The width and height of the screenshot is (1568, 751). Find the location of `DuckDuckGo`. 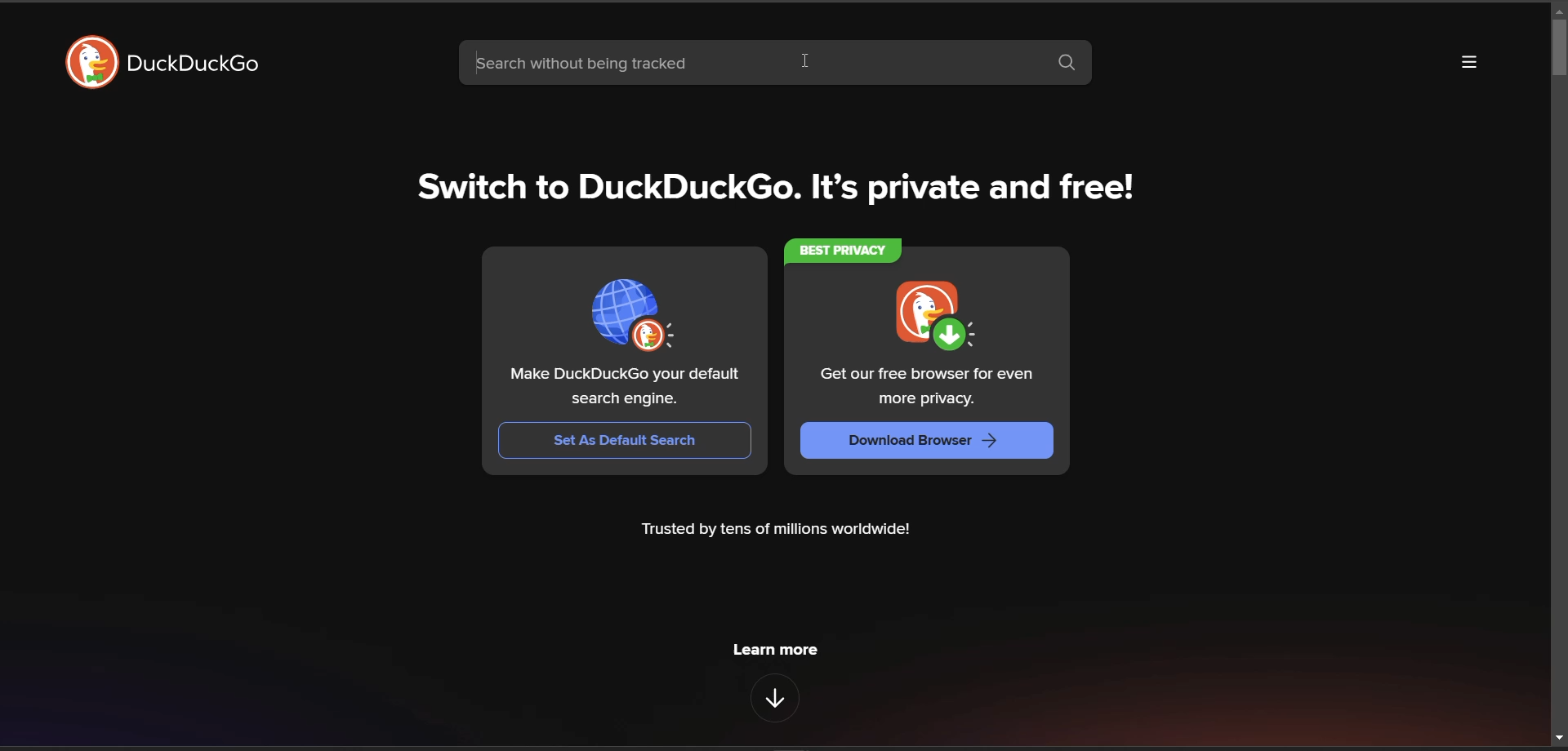

DuckDuckGo is located at coordinates (195, 65).